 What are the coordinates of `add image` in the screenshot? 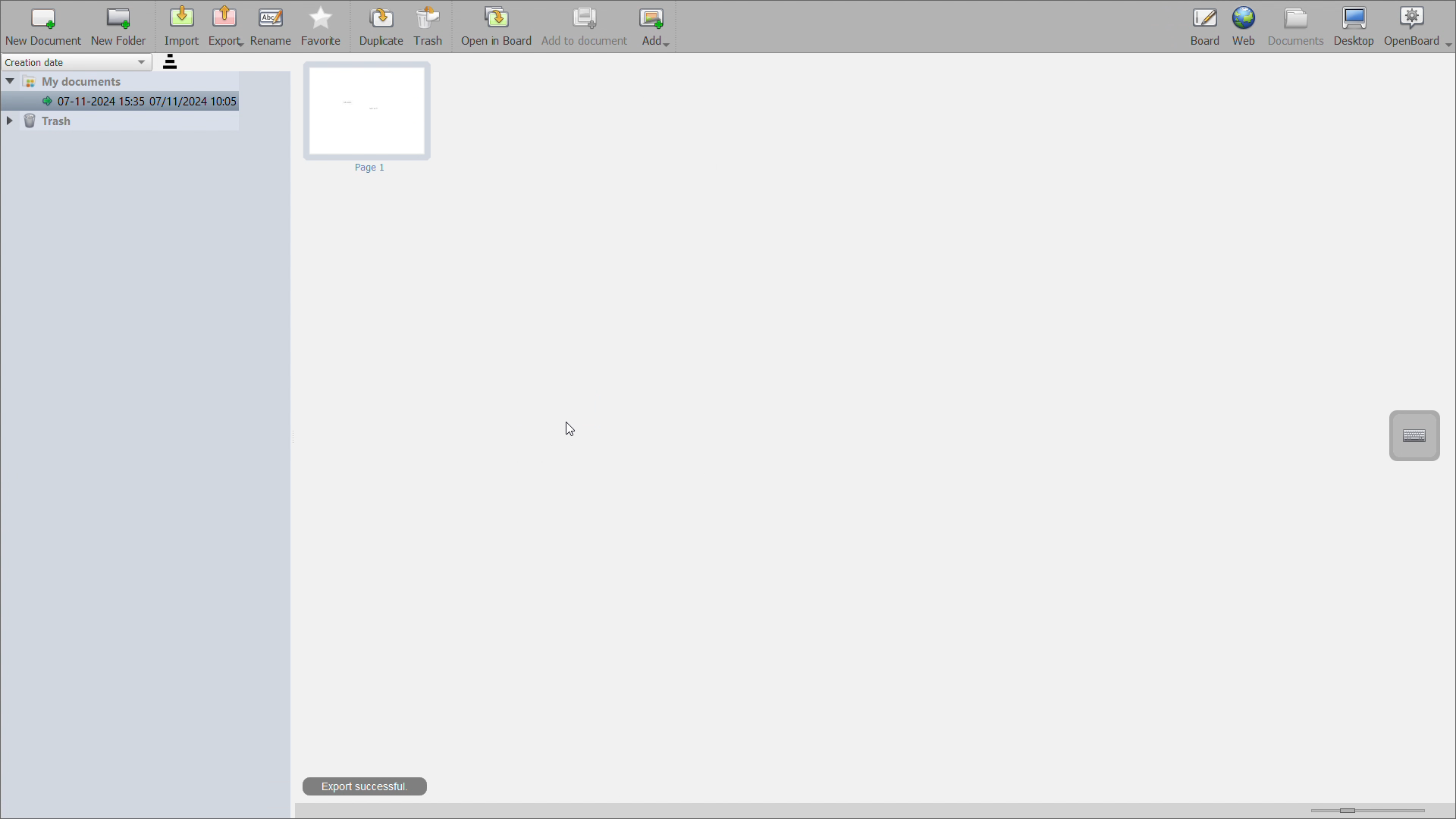 It's located at (654, 27).